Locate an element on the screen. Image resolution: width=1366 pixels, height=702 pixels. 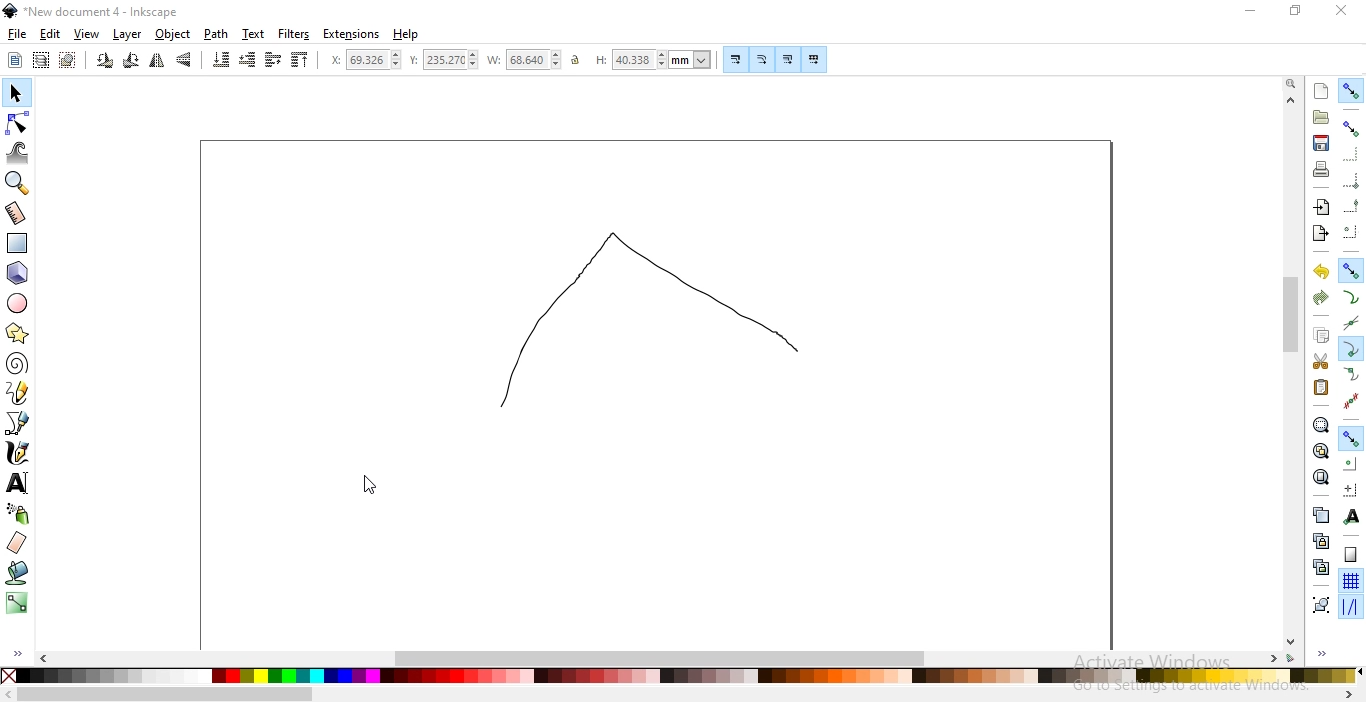
snap to grids is located at coordinates (1350, 580).